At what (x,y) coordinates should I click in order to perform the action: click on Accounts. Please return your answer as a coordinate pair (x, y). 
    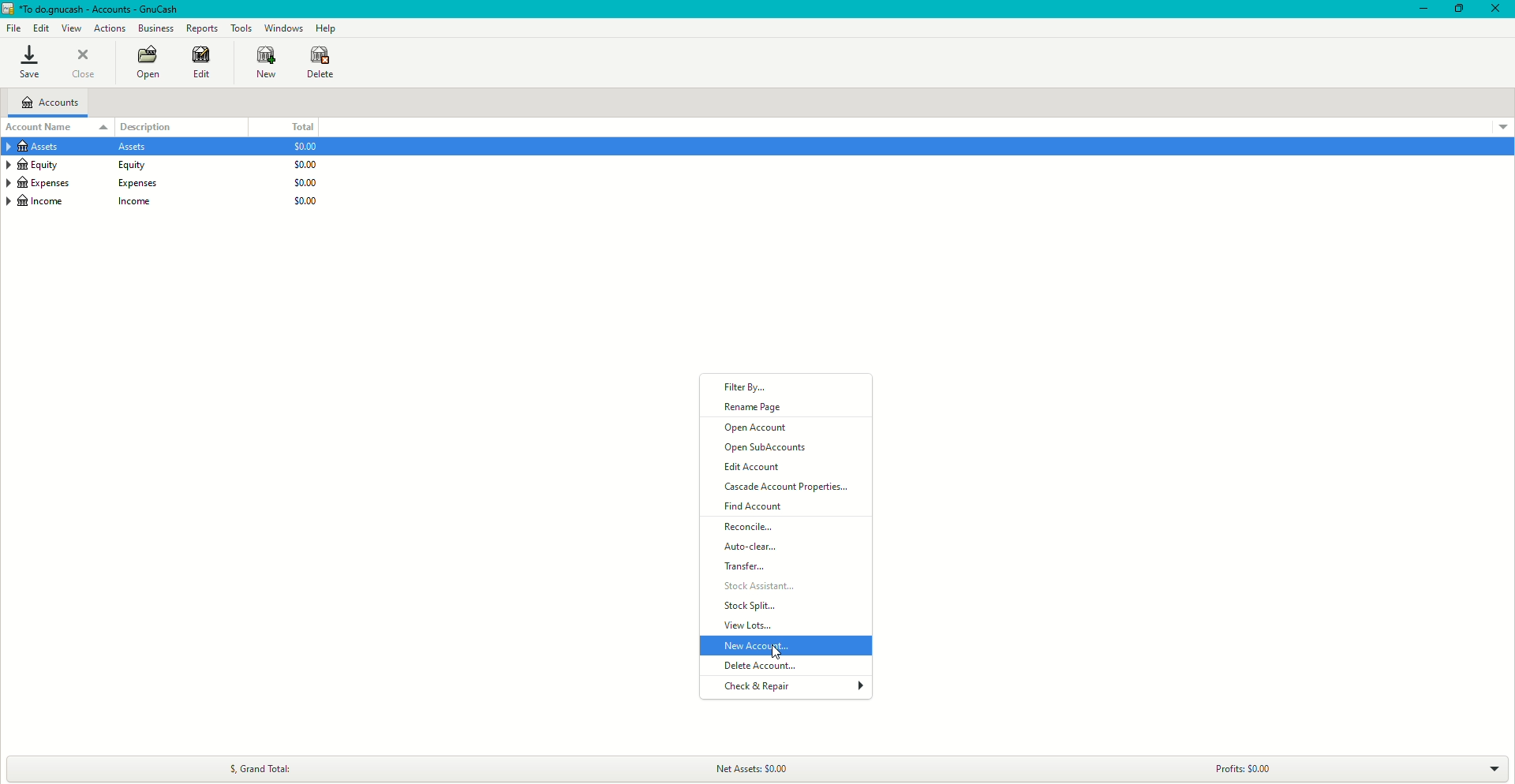
    Looking at the image, I should click on (54, 104).